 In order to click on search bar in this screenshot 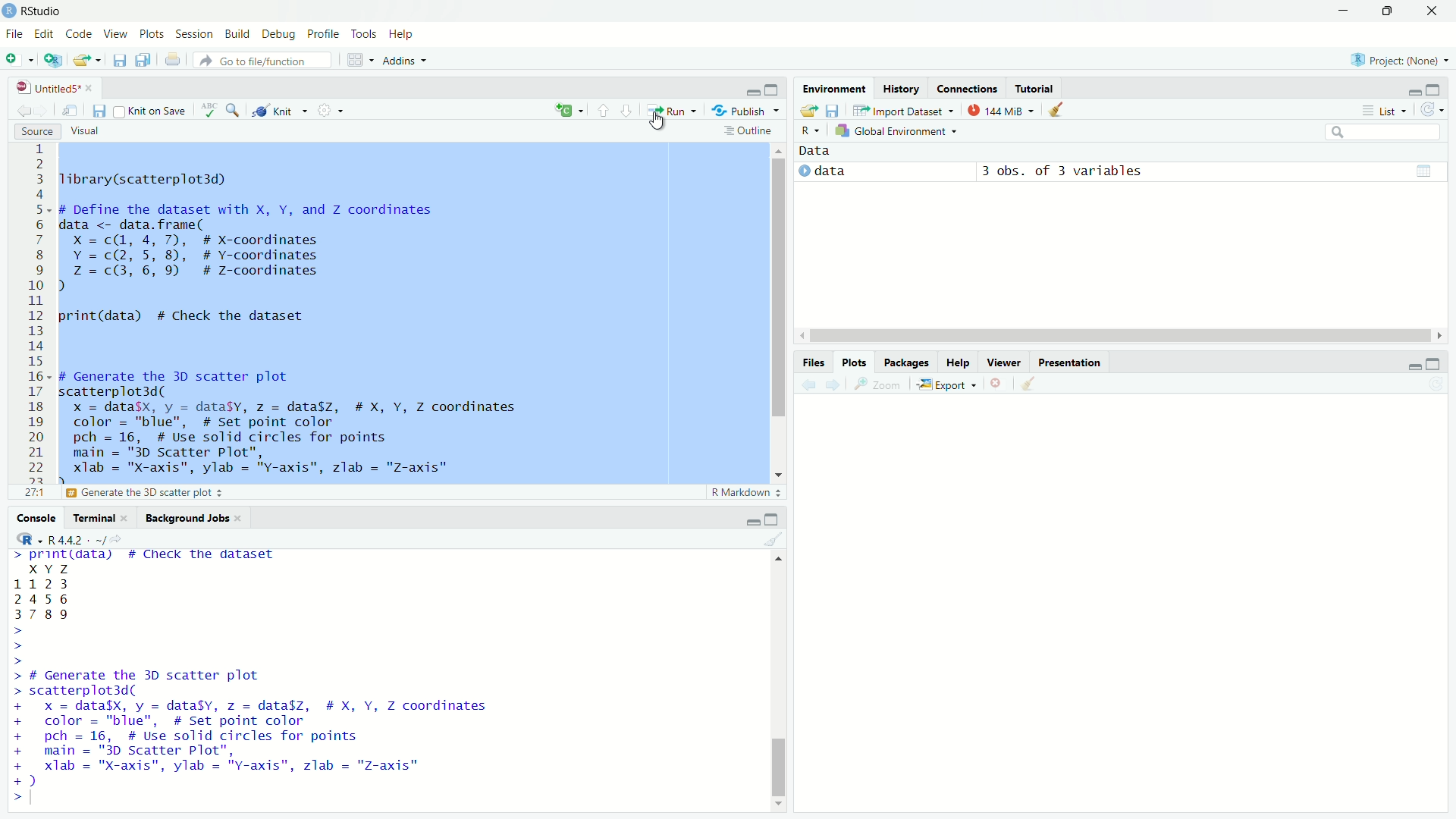, I will do `click(1382, 132)`.